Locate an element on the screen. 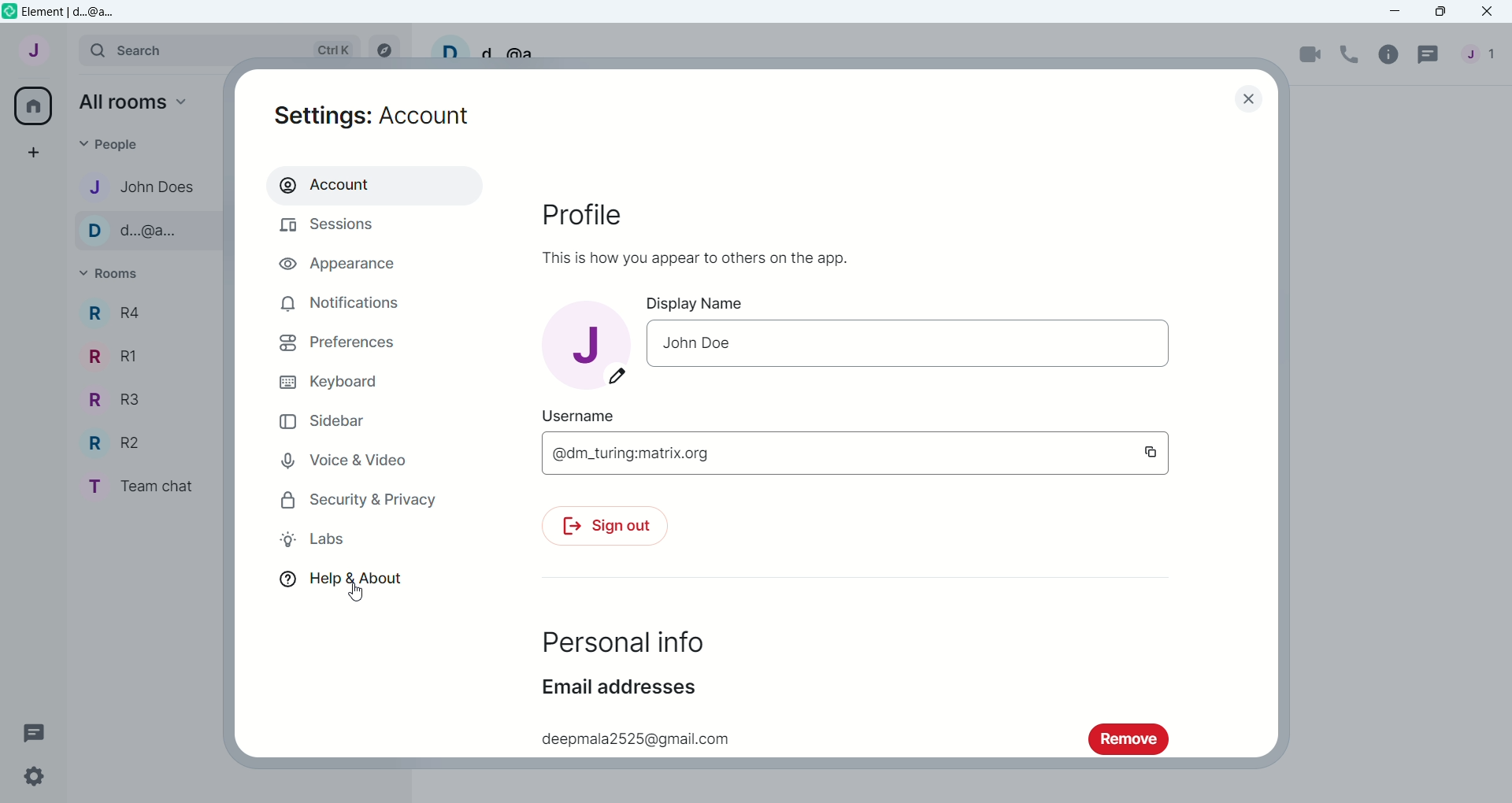 The image size is (1512, 803). Personal Info is located at coordinates (626, 642).